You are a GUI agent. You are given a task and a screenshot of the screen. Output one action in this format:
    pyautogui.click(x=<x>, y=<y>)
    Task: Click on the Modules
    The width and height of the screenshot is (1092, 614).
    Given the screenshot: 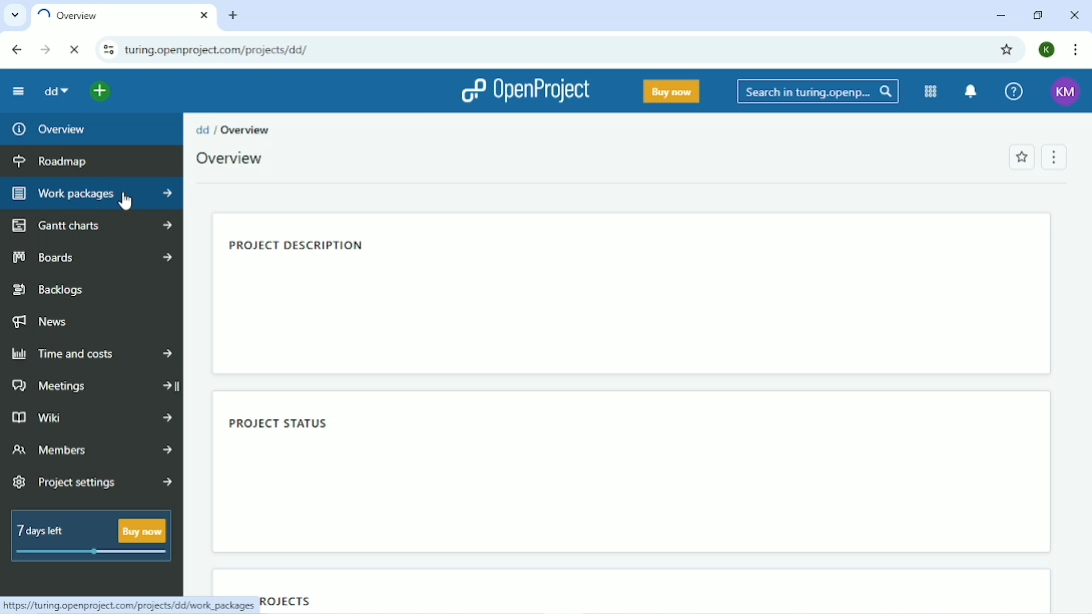 What is the action you would take?
    pyautogui.click(x=931, y=91)
    